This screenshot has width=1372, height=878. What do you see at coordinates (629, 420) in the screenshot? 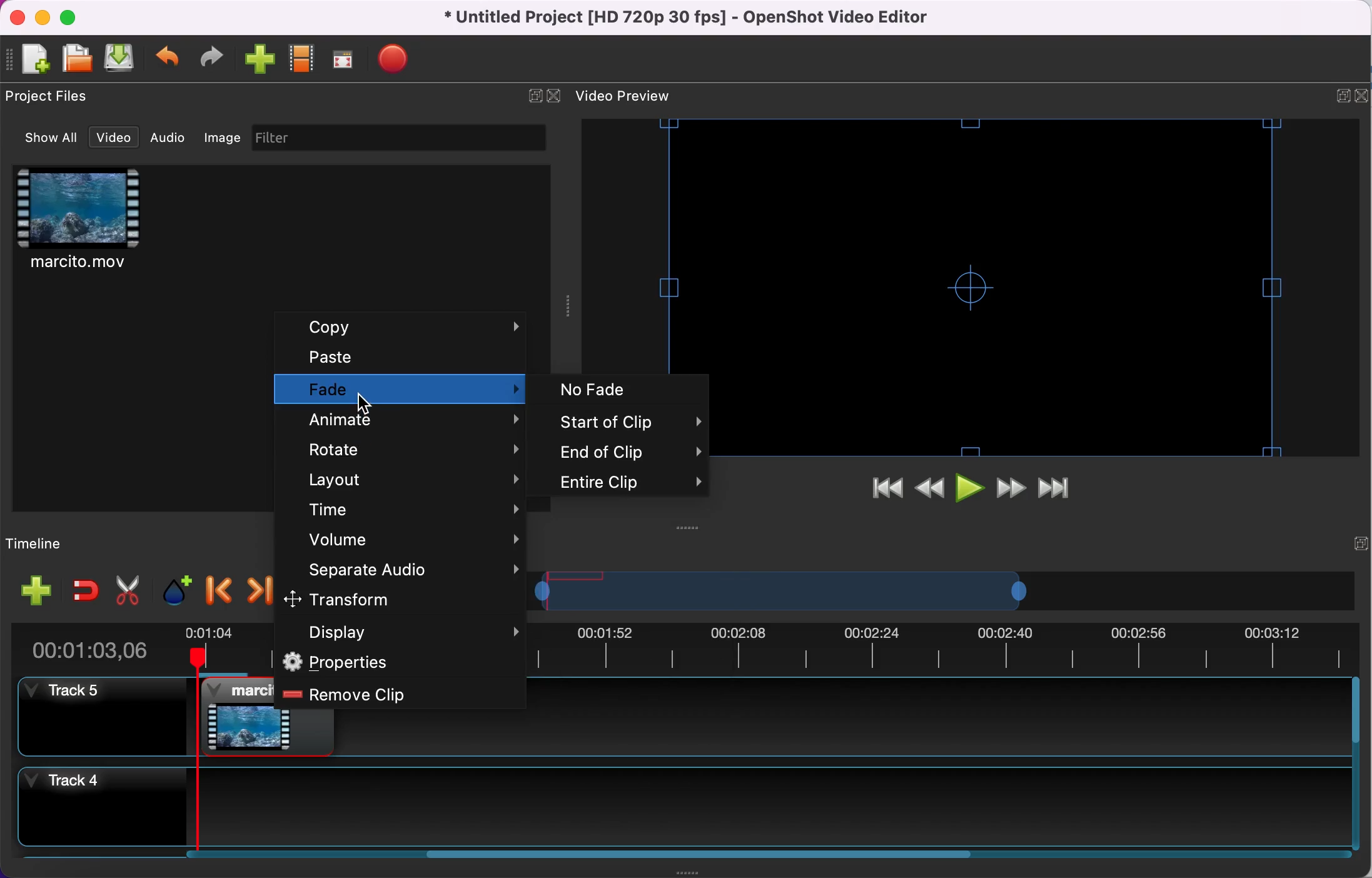
I see `start of clip` at bounding box center [629, 420].